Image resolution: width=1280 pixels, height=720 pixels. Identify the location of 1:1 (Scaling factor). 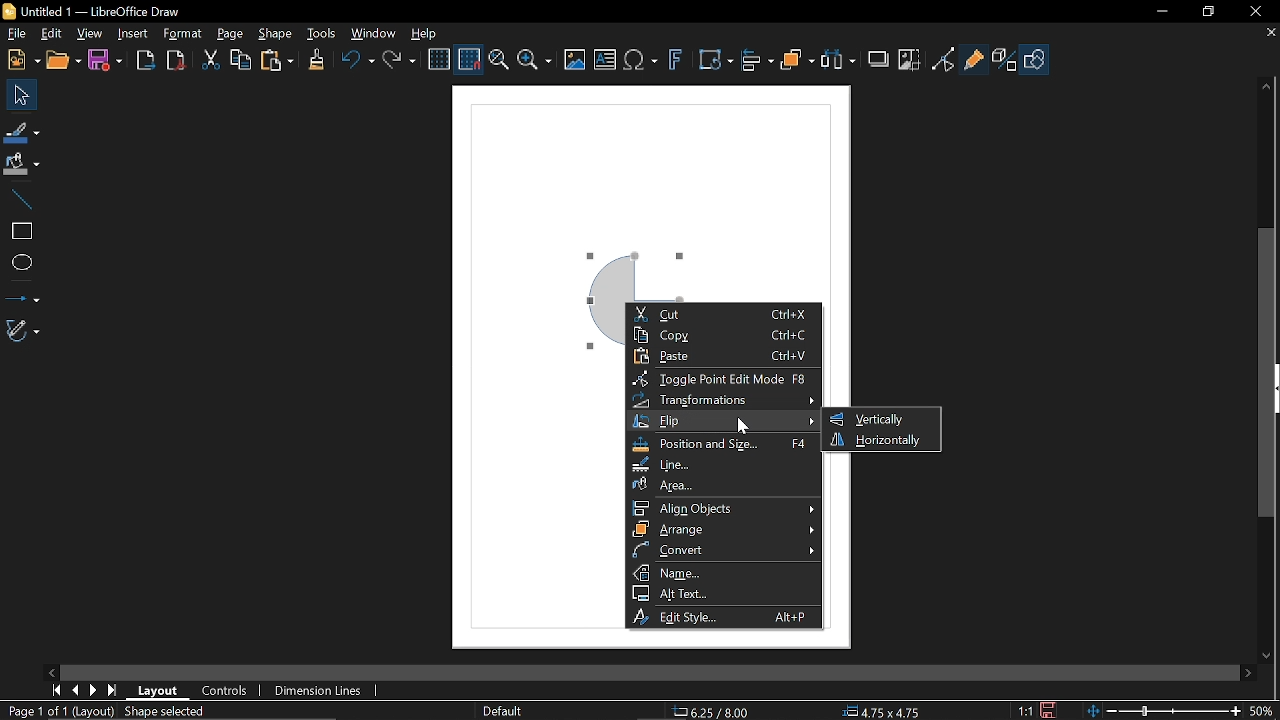
(1027, 711).